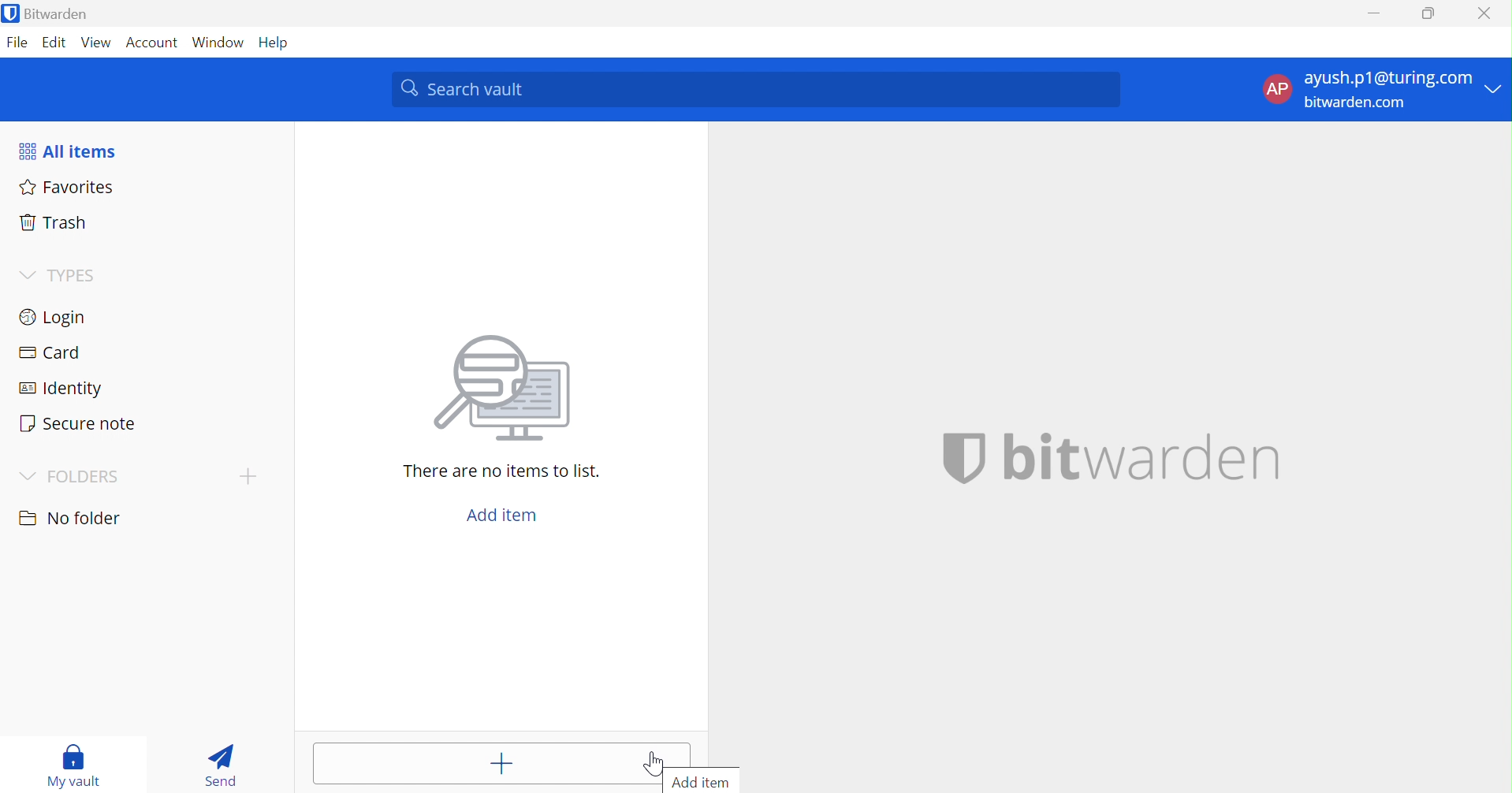  I want to click on Card, so click(47, 350).